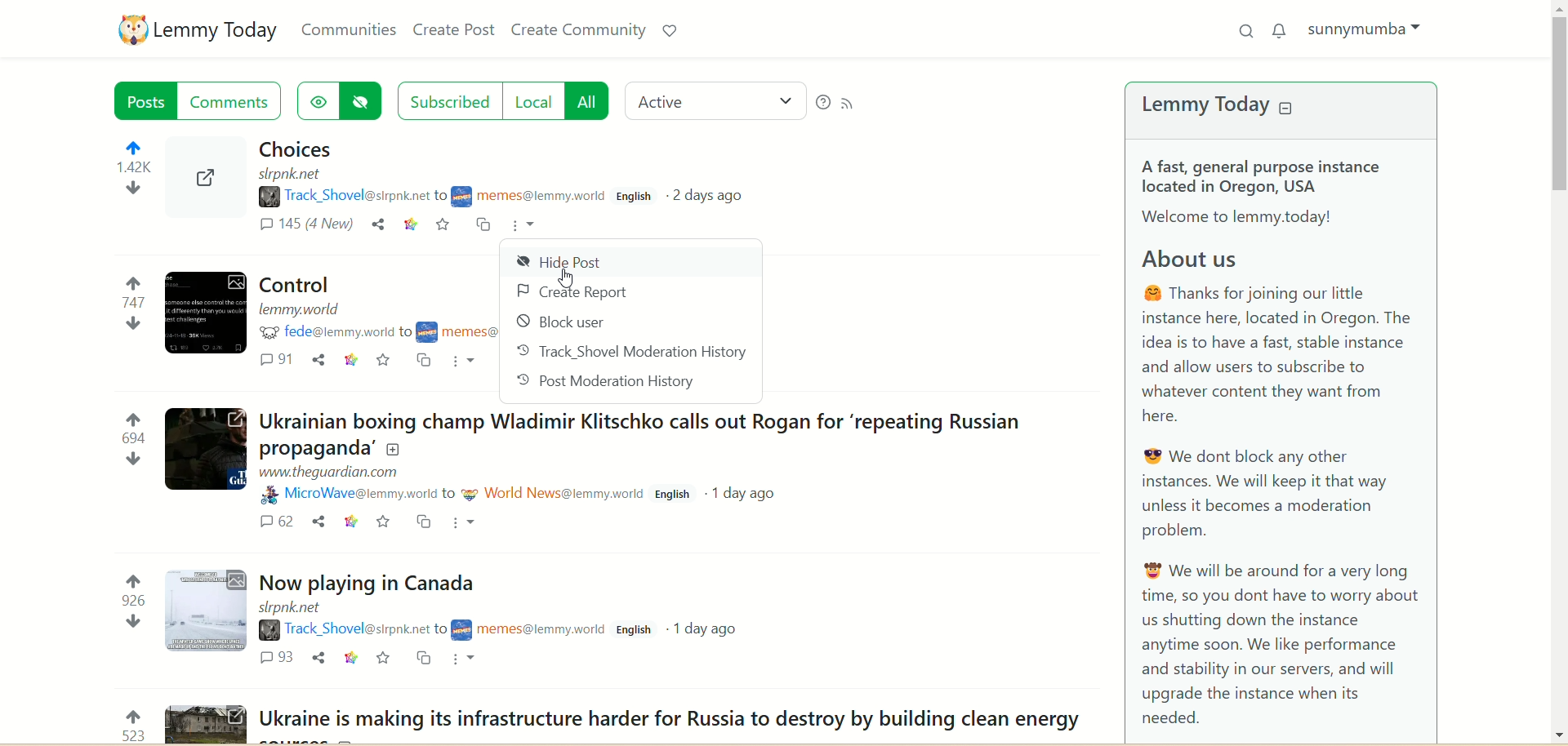 This screenshot has height=746, width=1568. Describe the element at coordinates (554, 494) in the screenshot. I see `community` at that location.